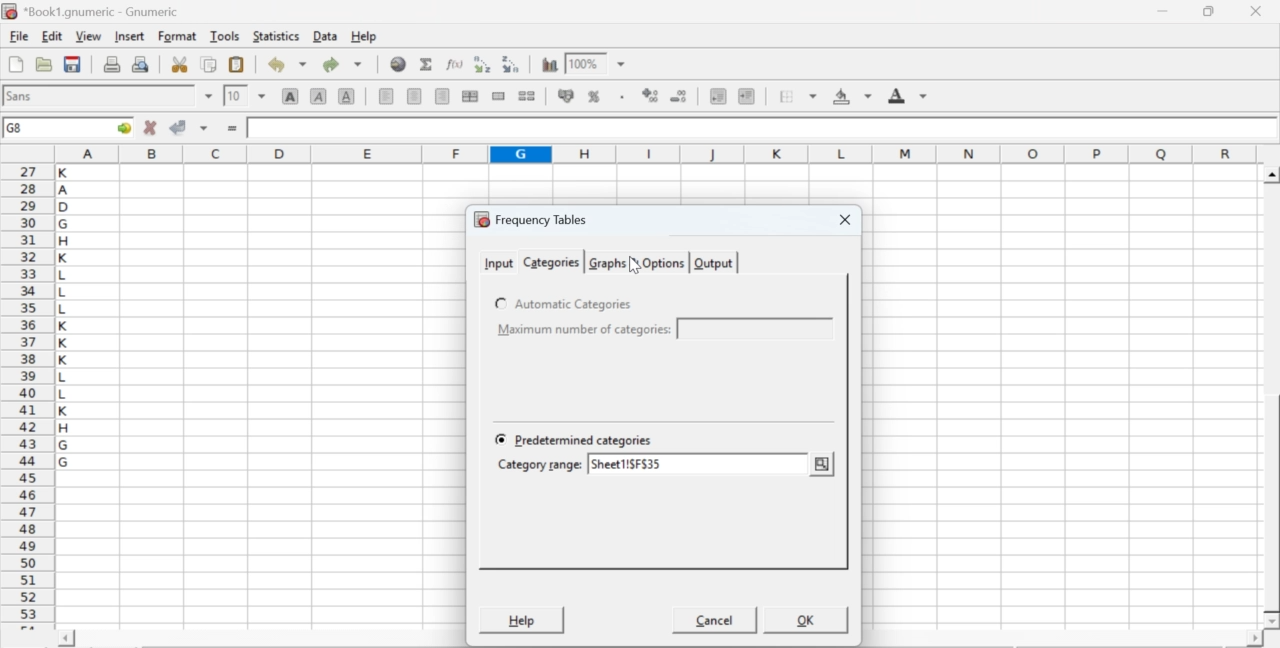 The width and height of the screenshot is (1280, 648). Describe the element at coordinates (535, 466) in the screenshot. I see `Category range` at that location.